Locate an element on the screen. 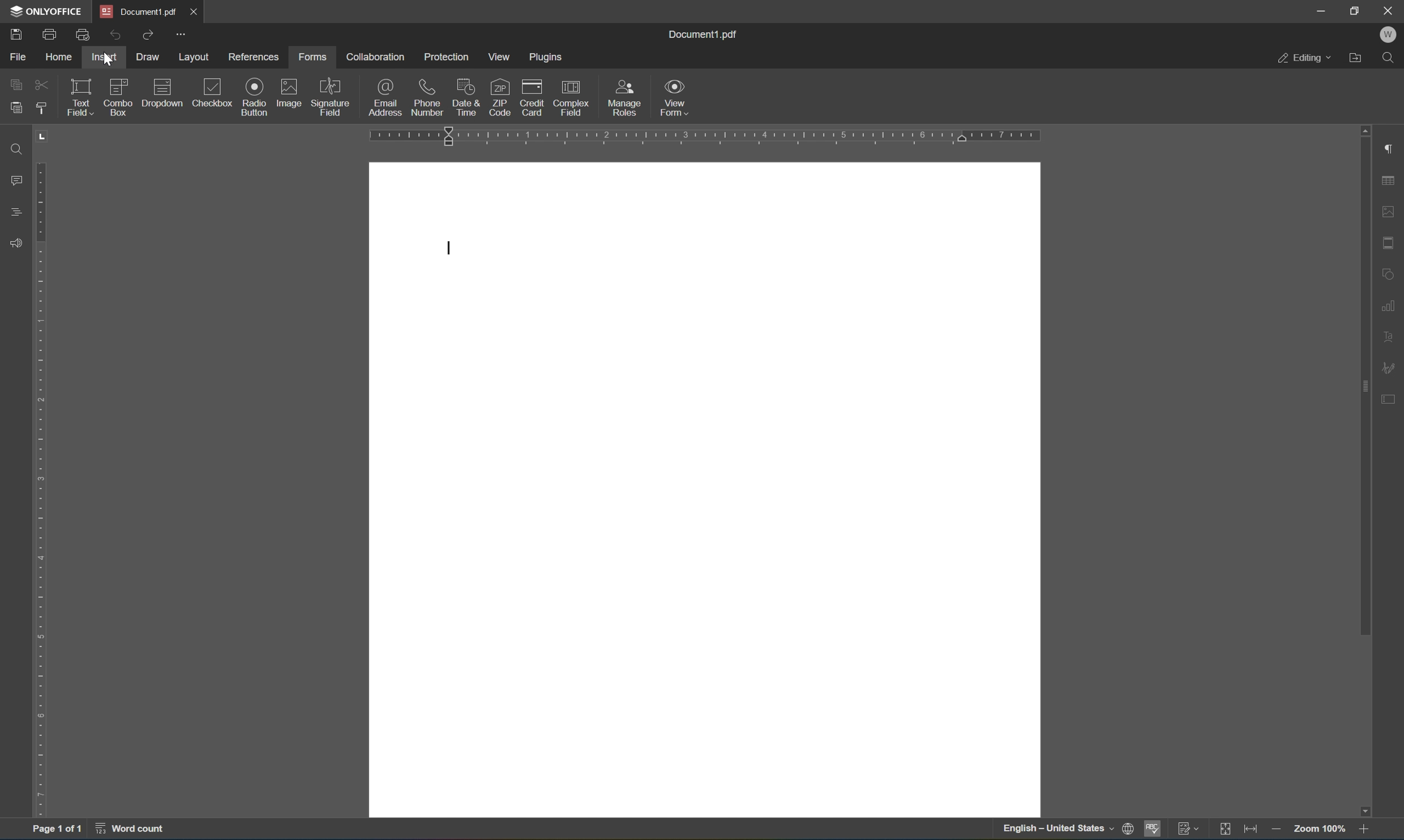 This screenshot has height=840, width=1404. references is located at coordinates (254, 58).